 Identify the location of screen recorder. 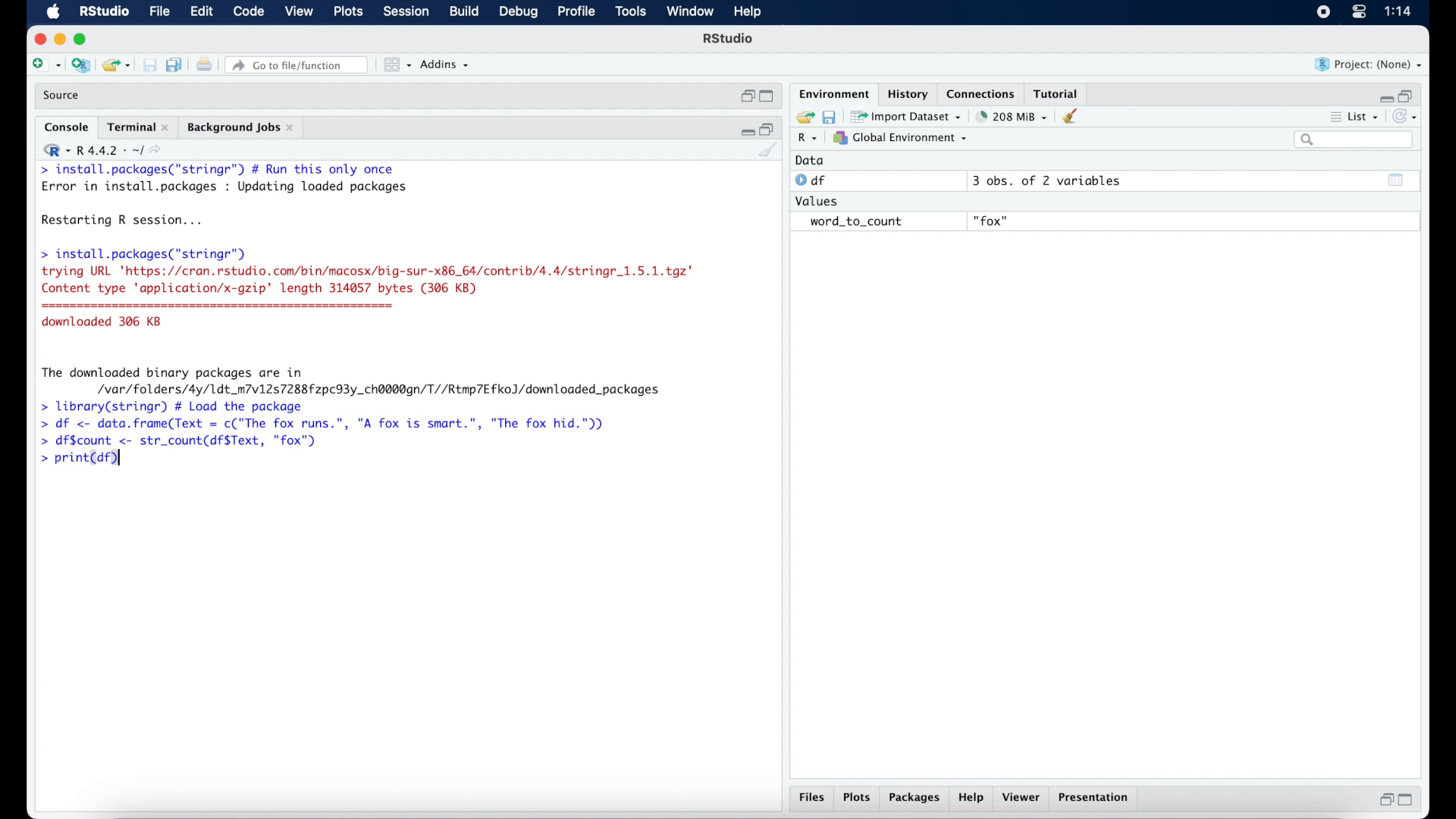
(1323, 13).